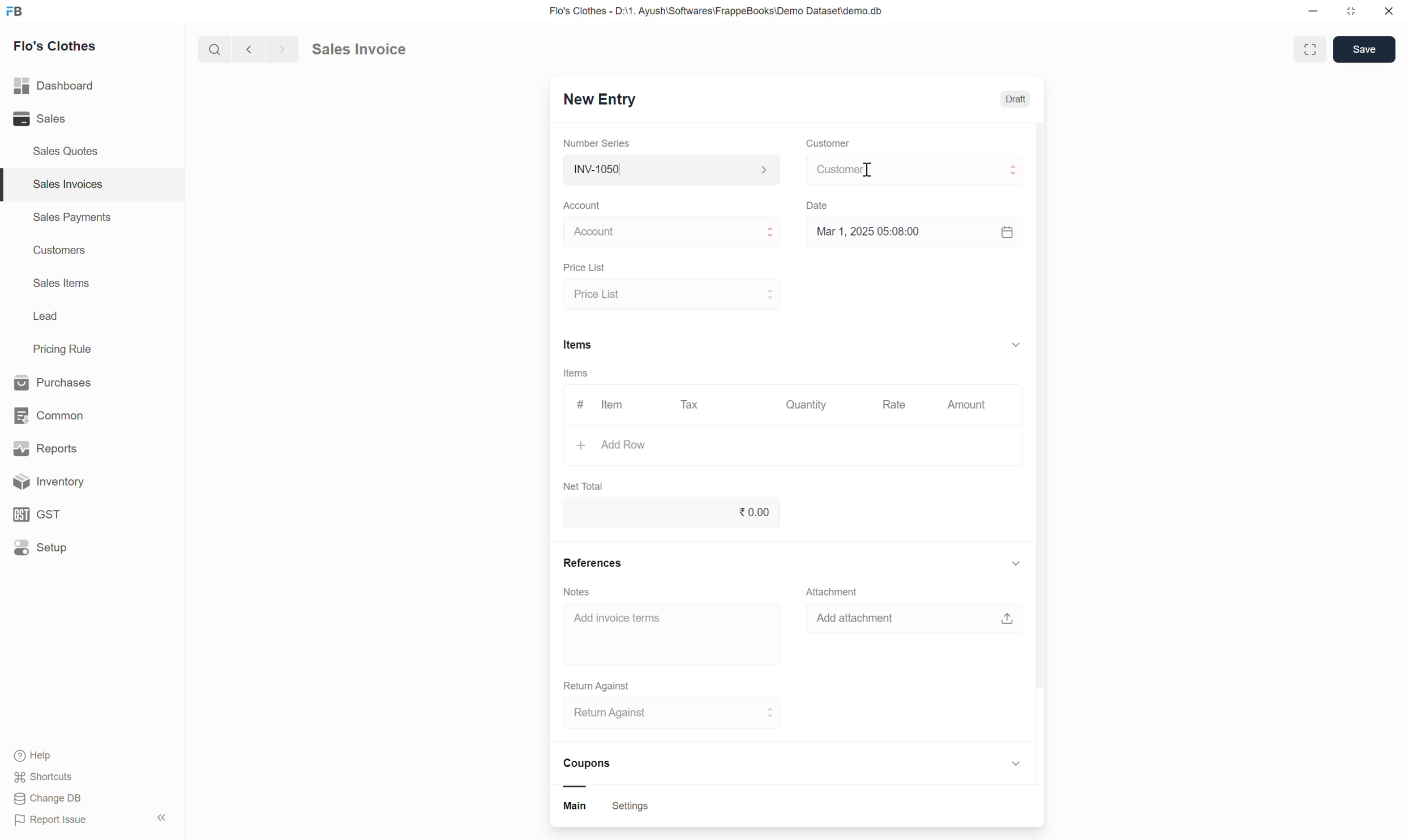 This screenshot has width=1408, height=840. What do you see at coordinates (911, 172) in the screenshot?
I see `select customer` at bounding box center [911, 172].